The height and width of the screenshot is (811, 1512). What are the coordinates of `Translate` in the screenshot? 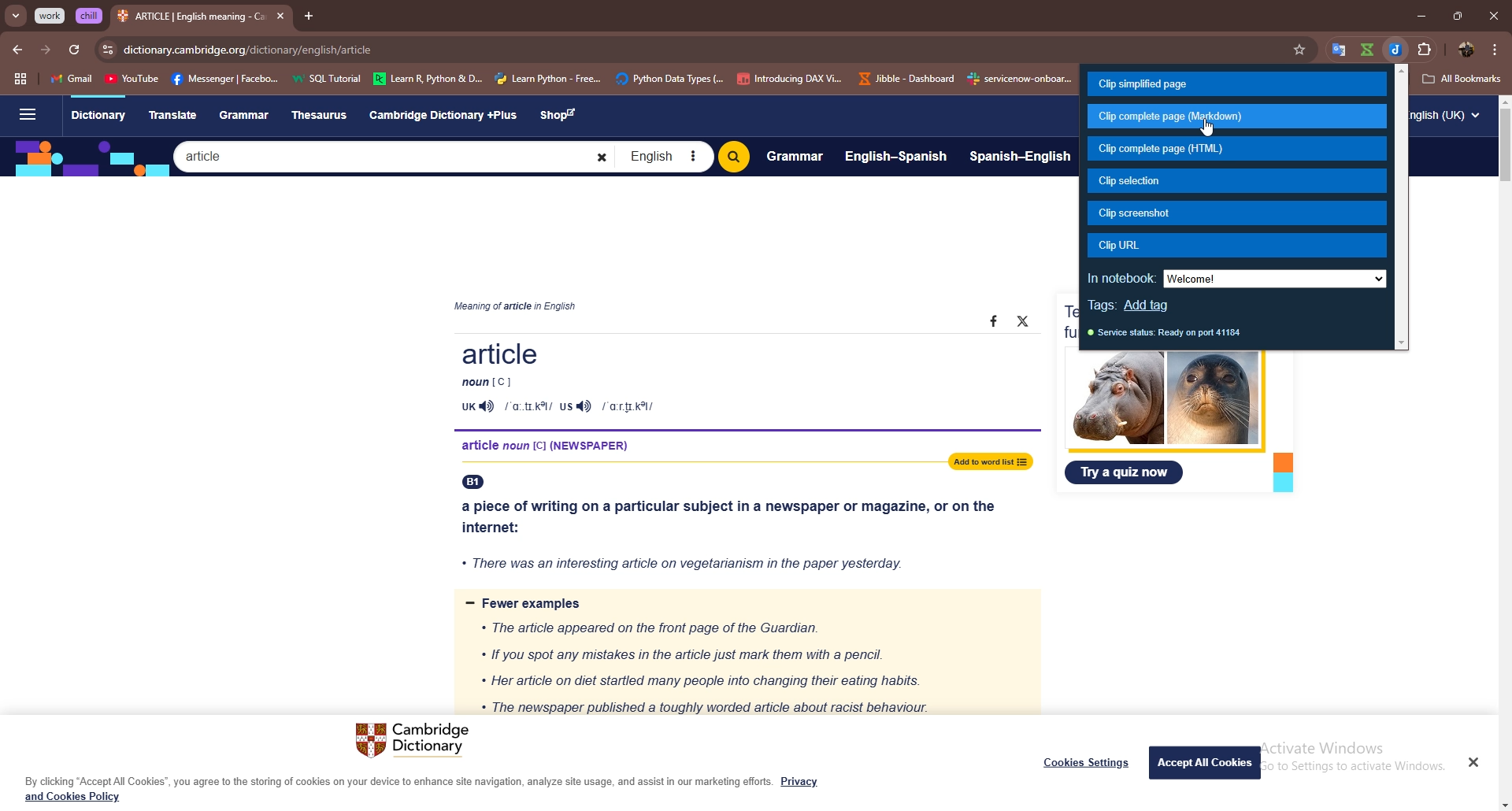 It's located at (172, 113).